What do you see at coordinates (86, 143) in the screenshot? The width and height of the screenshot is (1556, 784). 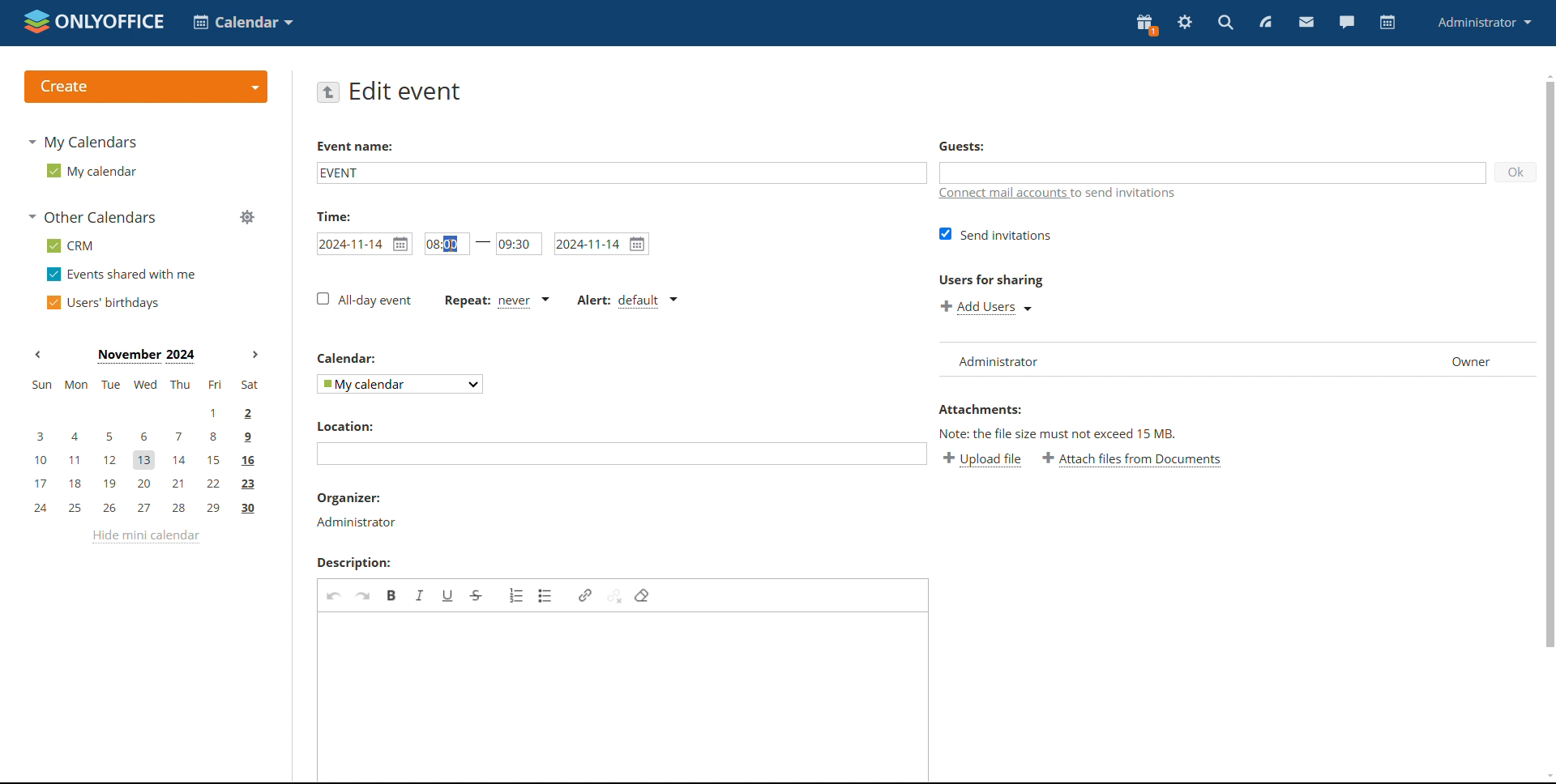 I see `my calendars` at bounding box center [86, 143].